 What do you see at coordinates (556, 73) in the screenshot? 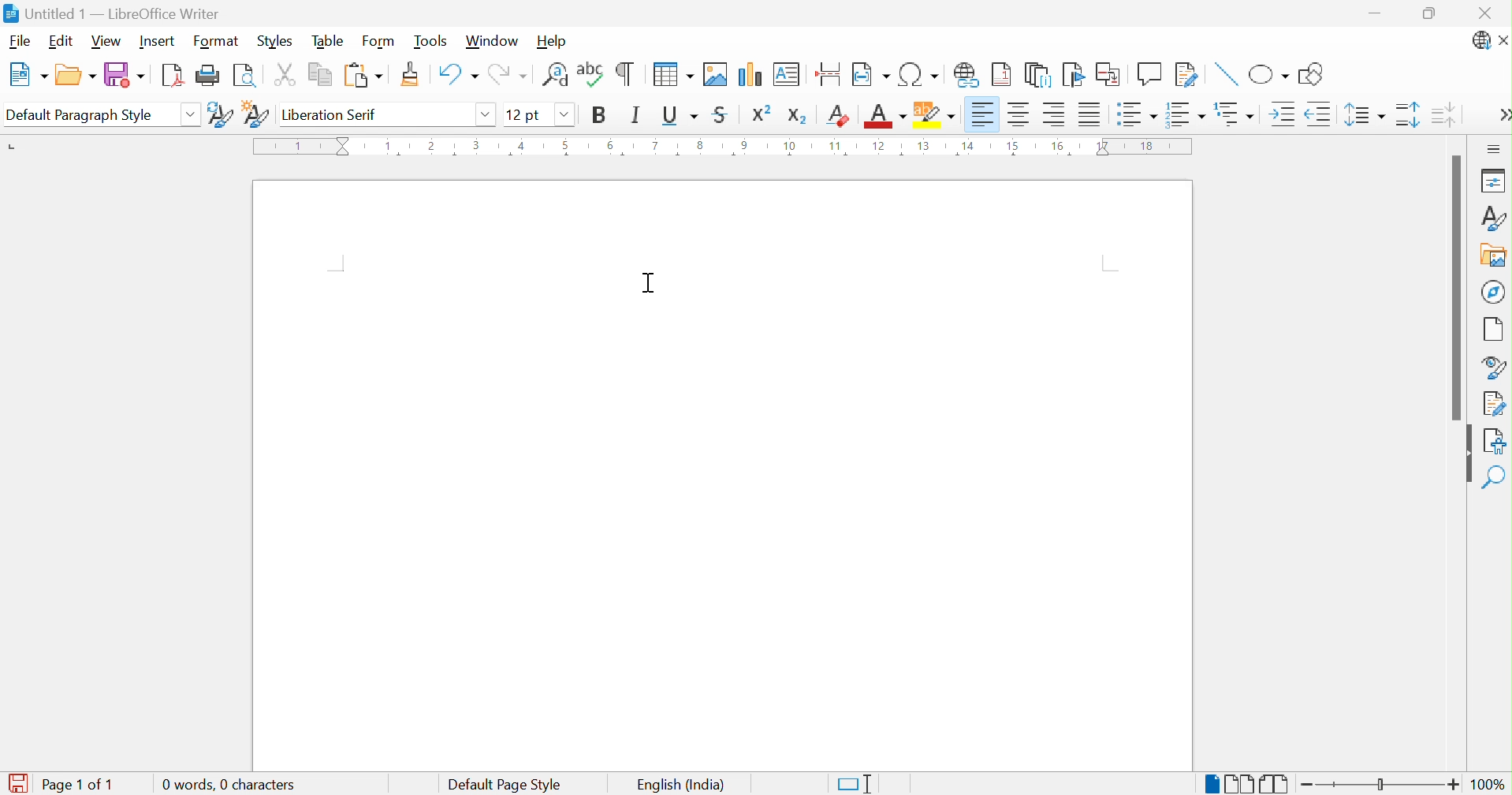
I see `Find and replace` at bounding box center [556, 73].